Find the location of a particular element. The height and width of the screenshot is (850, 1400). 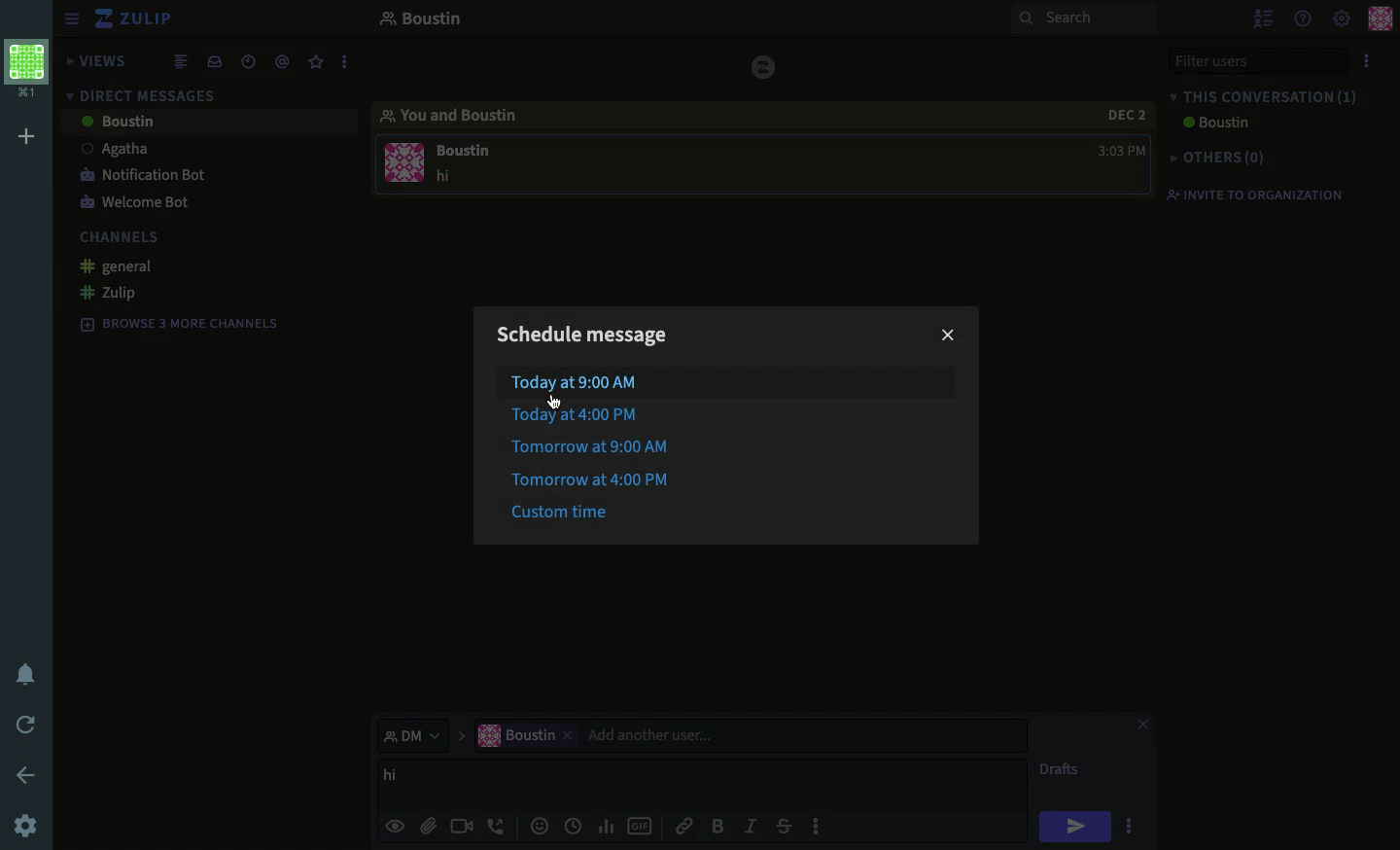

visible is located at coordinates (398, 825).